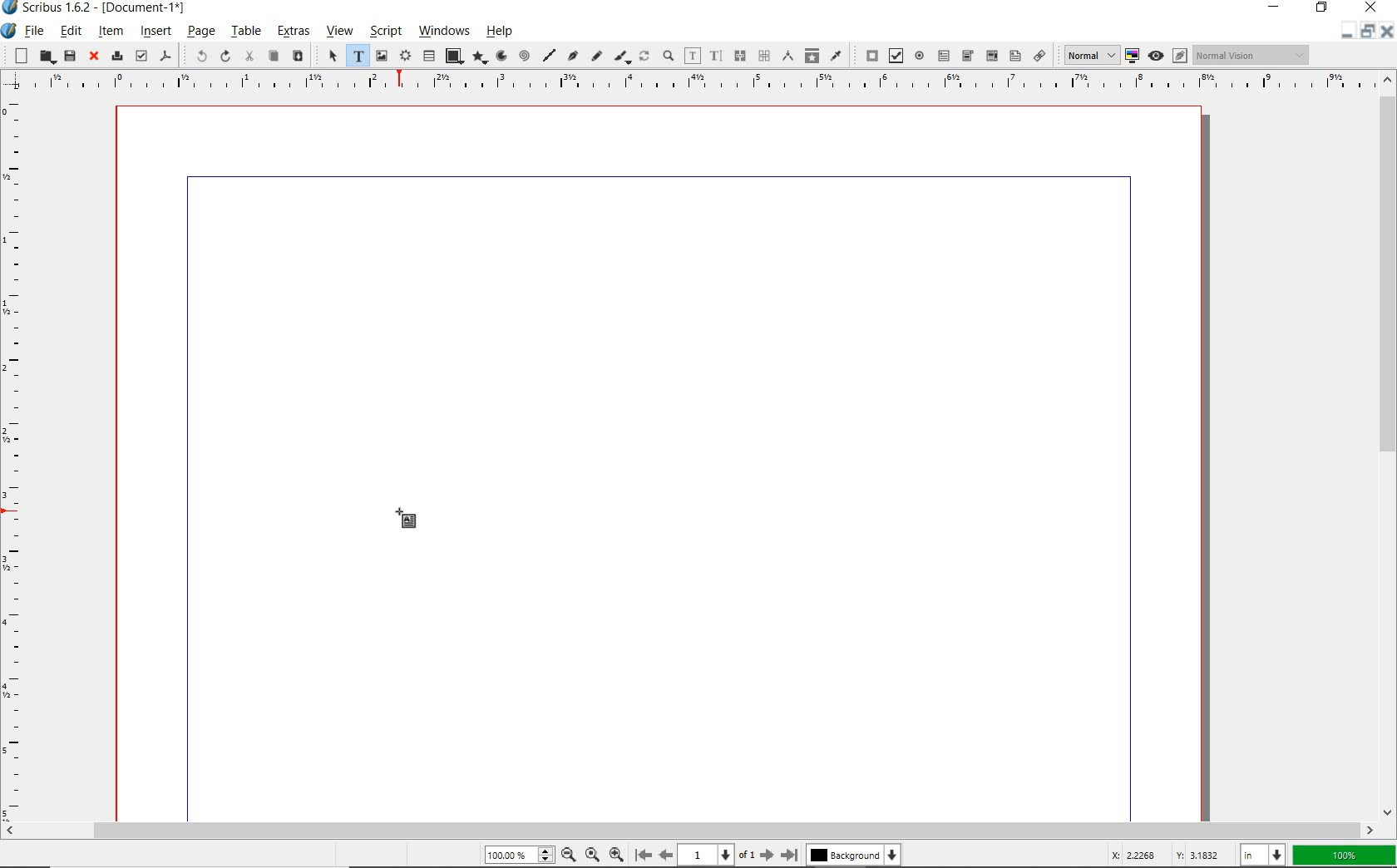 The width and height of the screenshot is (1397, 868). What do you see at coordinates (297, 57) in the screenshot?
I see `paste` at bounding box center [297, 57].